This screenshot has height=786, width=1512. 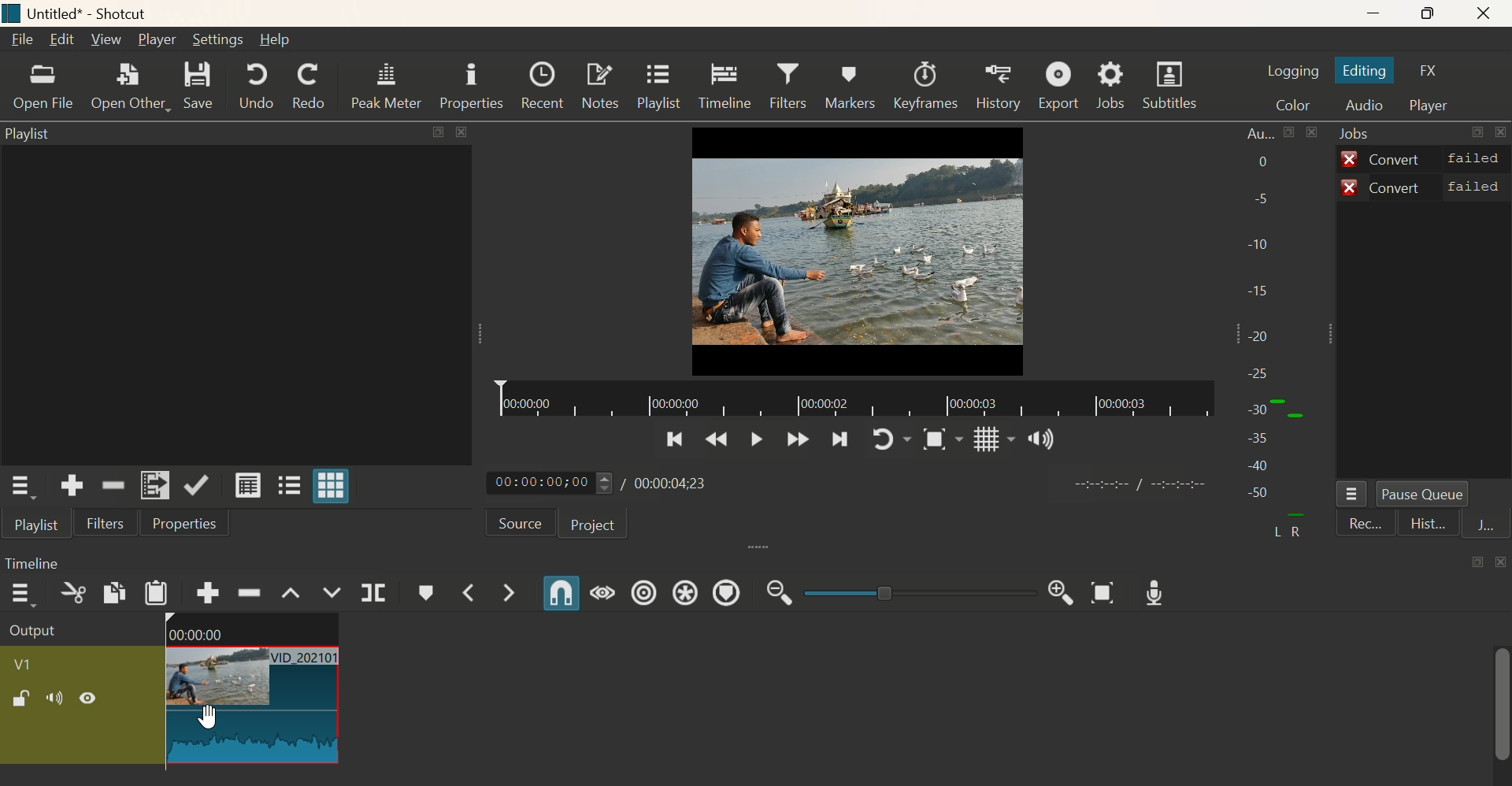 I want to click on , so click(x=23, y=40).